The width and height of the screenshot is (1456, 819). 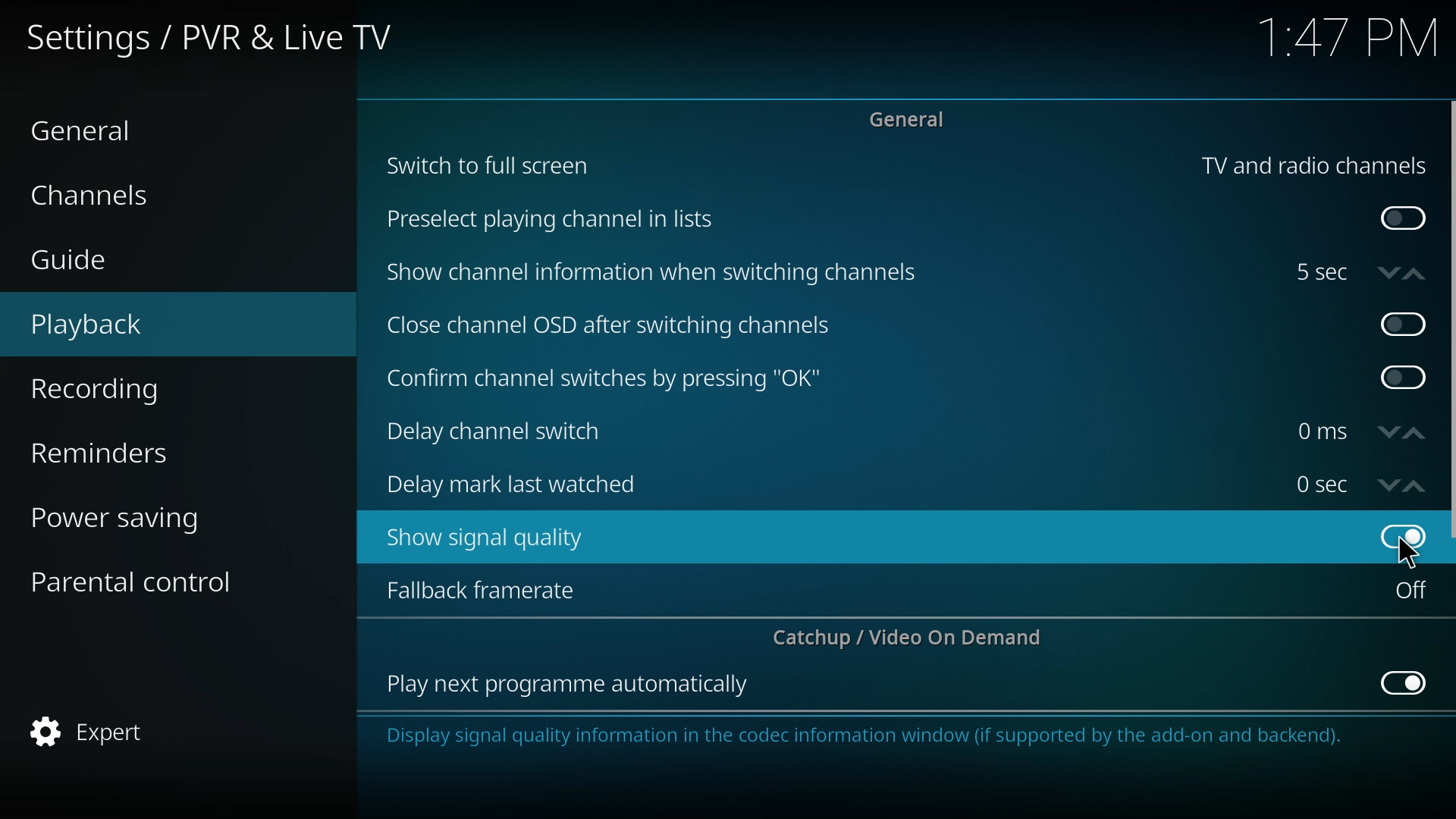 I want to click on scroll bar, so click(x=1450, y=320).